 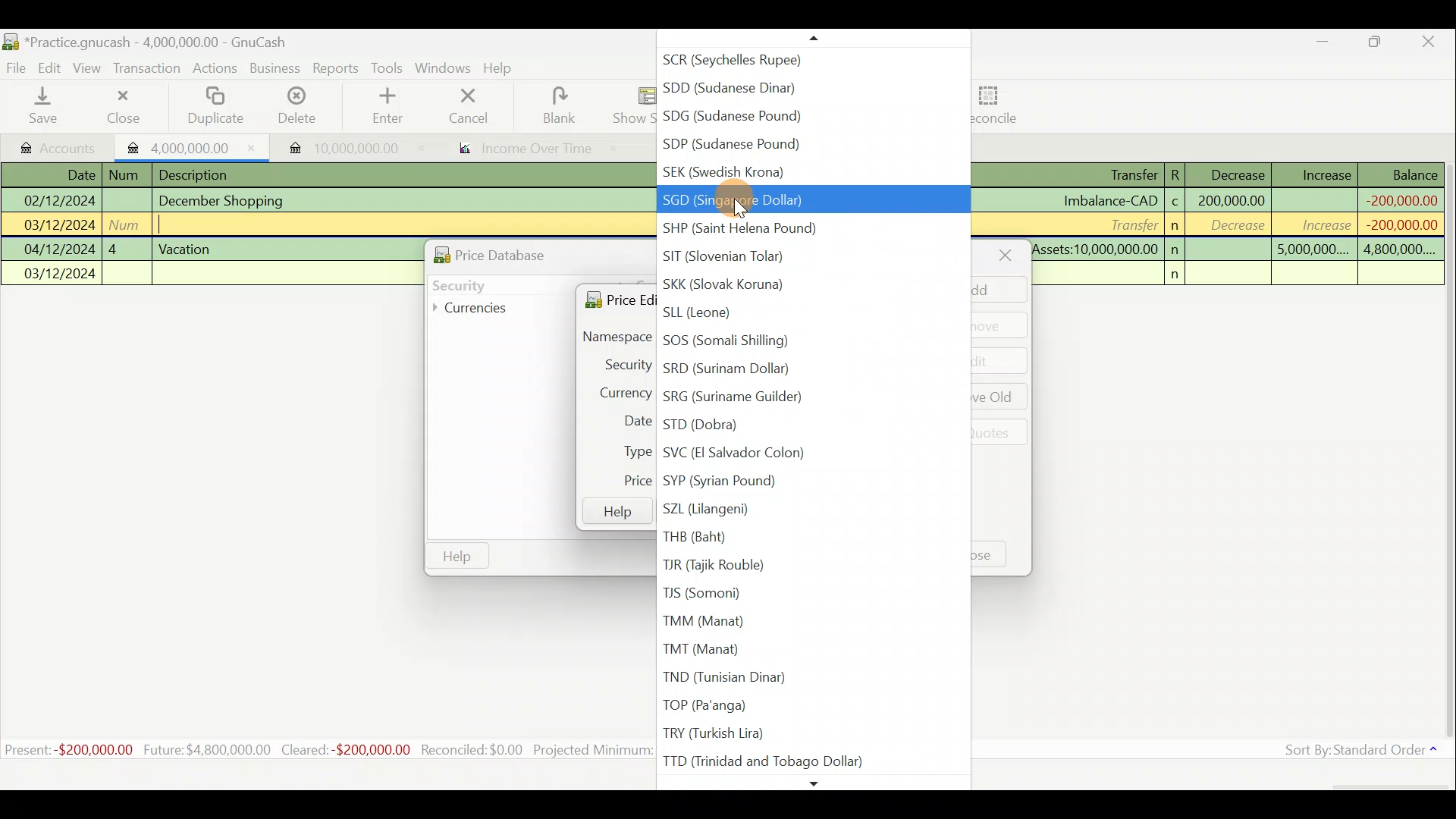 What do you see at coordinates (1447, 454) in the screenshot?
I see `Scroll bar` at bounding box center [1447, 454].